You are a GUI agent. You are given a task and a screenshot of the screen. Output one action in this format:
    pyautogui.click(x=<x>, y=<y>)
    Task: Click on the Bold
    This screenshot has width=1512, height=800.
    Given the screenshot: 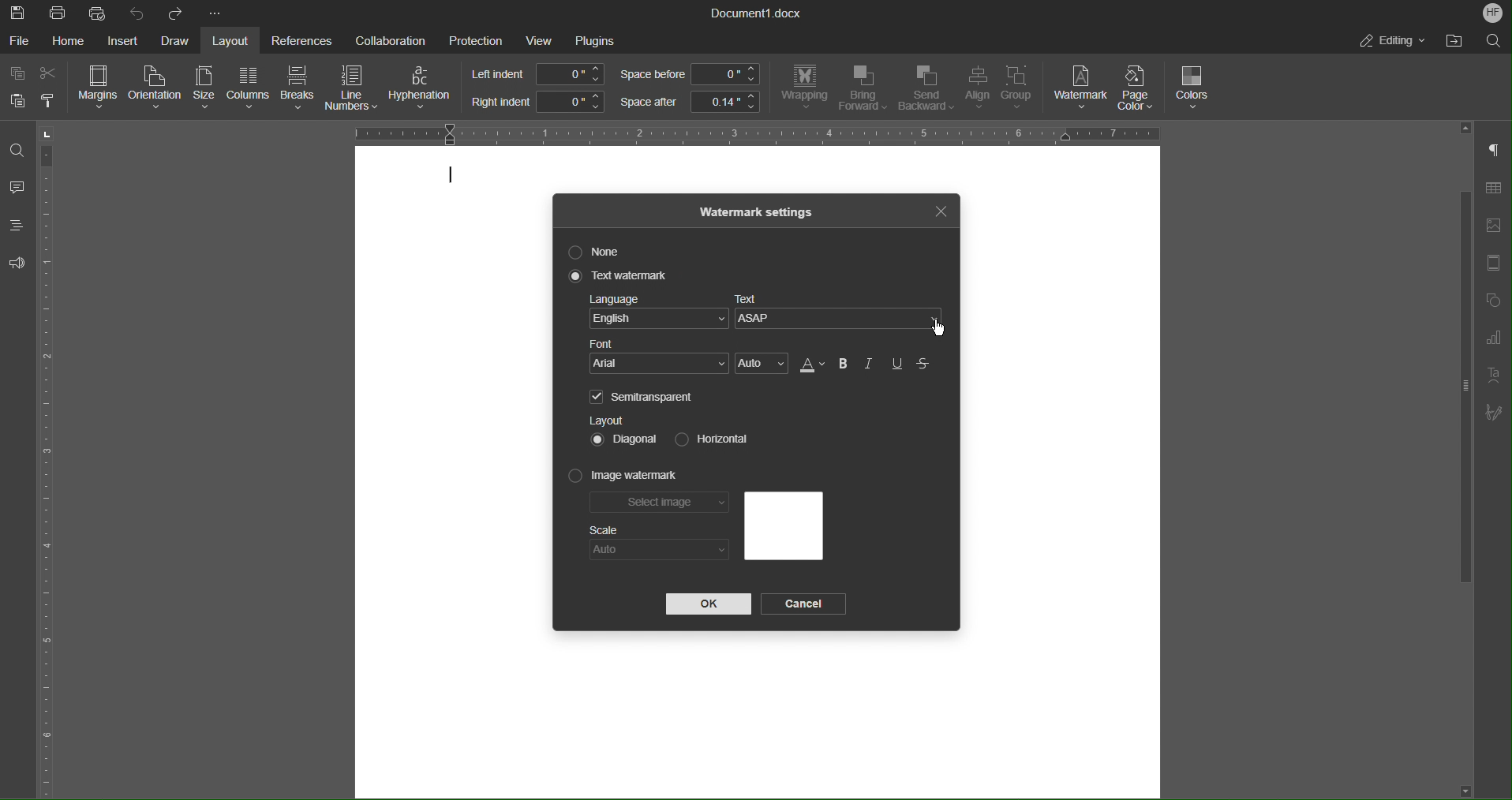 What is the action you would take?
    pyautogui.click(x=843, y=364)
    